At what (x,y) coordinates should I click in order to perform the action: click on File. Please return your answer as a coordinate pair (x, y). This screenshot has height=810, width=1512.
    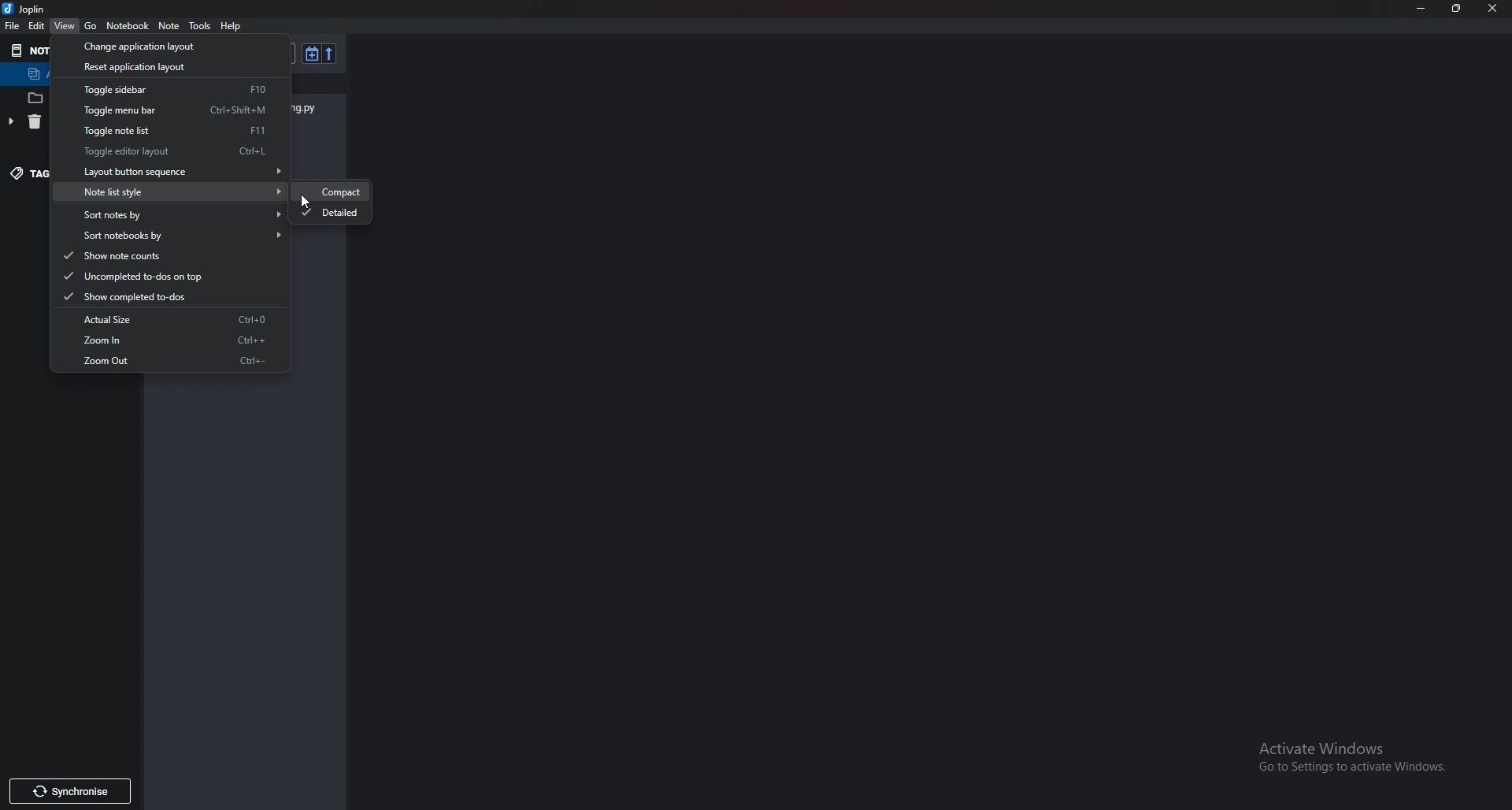
    Looking at the image, I should click on (13, 26).